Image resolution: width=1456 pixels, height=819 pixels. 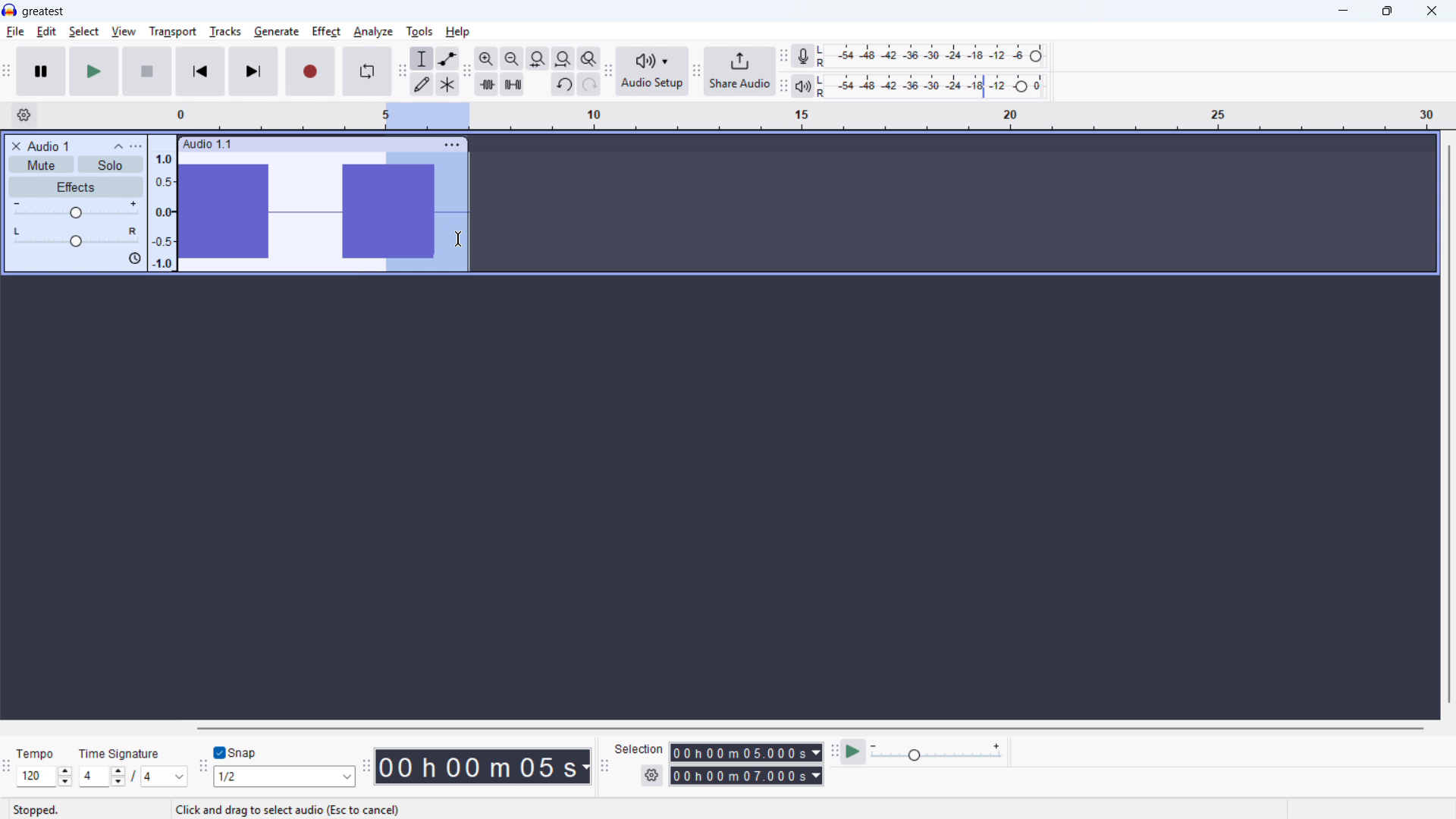 What do you see at coordinates (739, 71) in the screenshot?
I see `Share audio ` at bounding box center [739, 71].